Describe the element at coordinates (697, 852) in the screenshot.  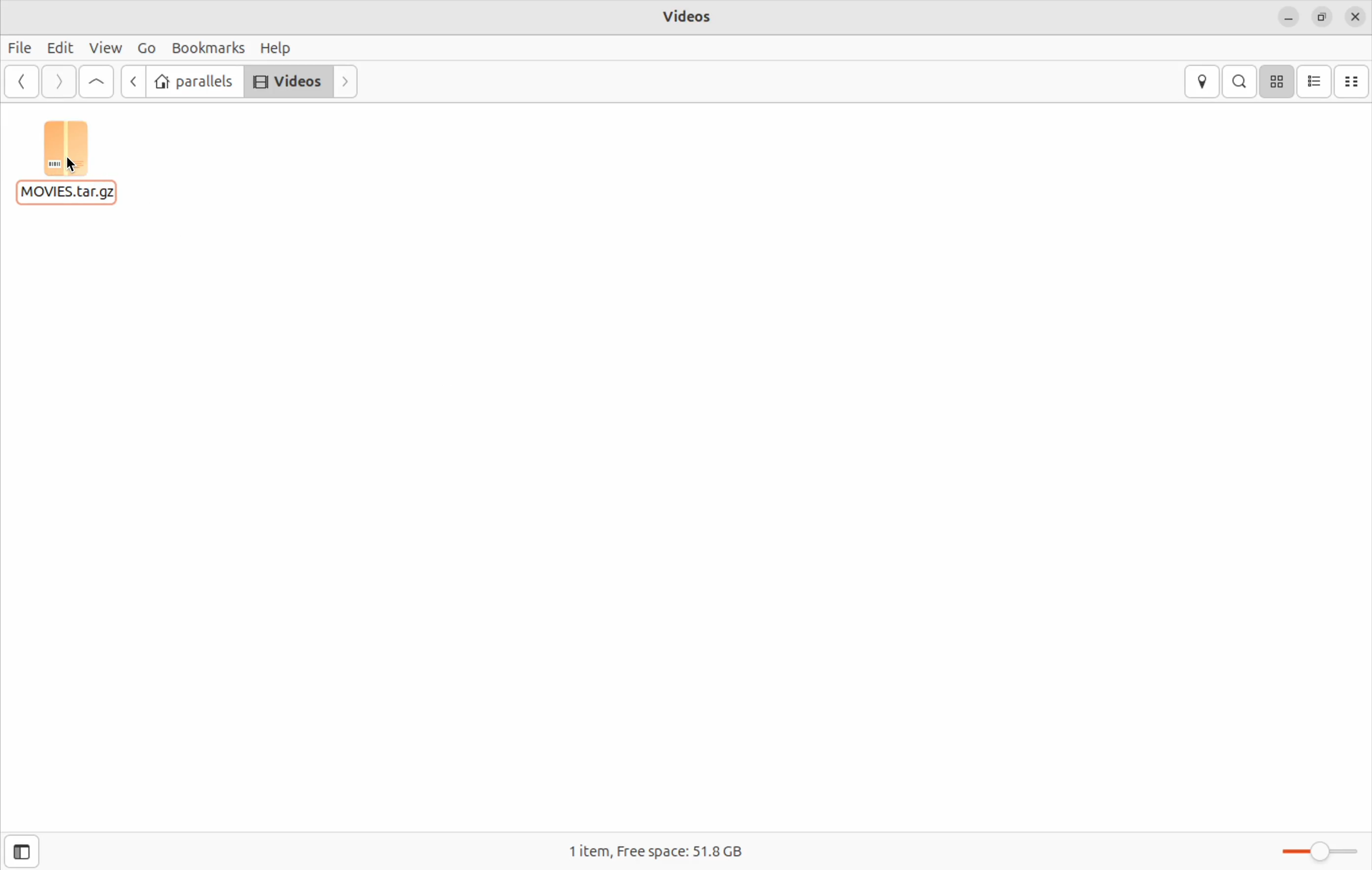
I see `free spaces` at that location.